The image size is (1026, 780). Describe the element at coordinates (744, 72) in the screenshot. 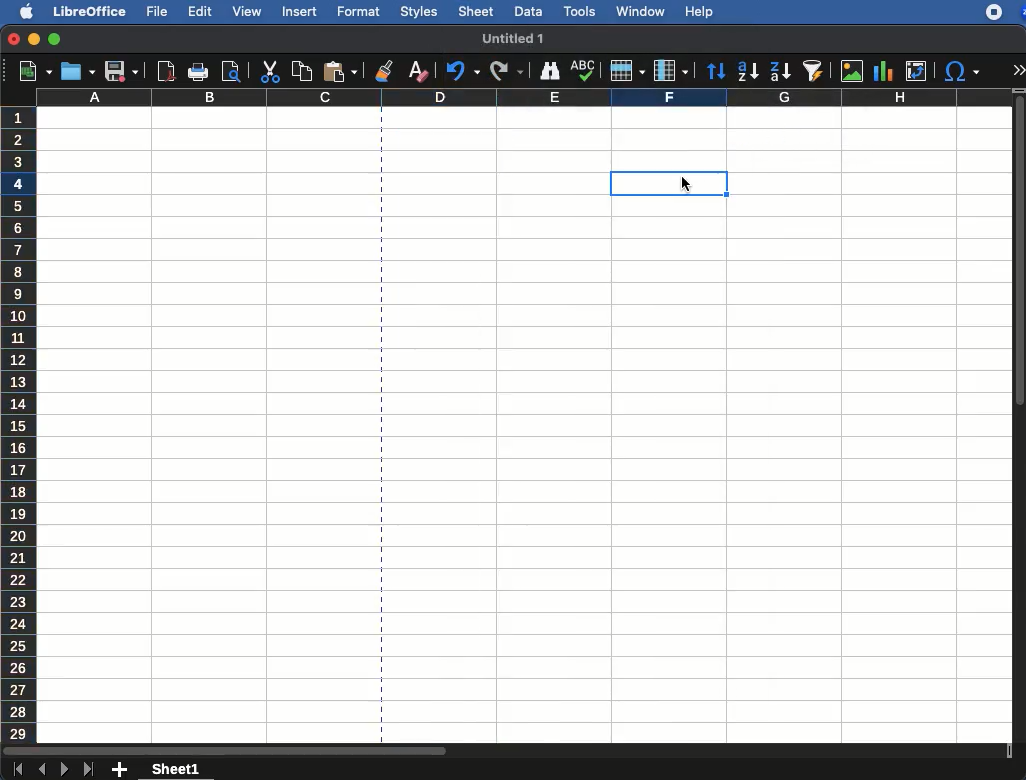

I see `ascending` at that location.